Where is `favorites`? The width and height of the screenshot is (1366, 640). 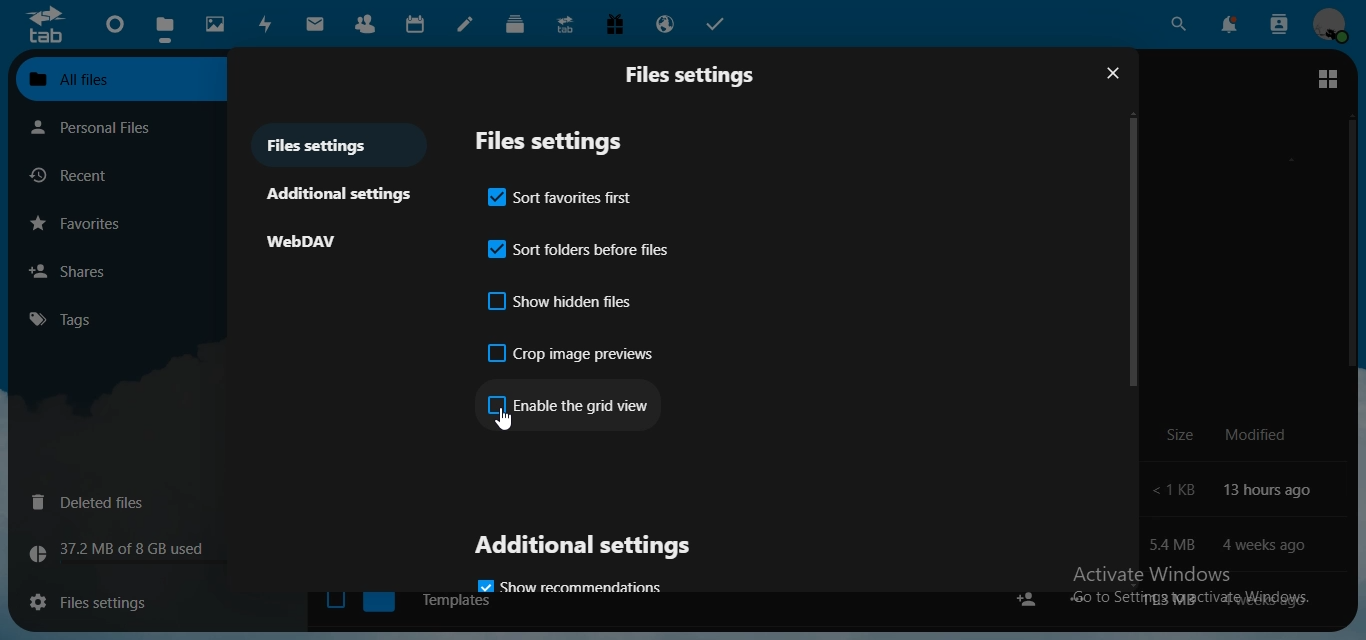 favorites is located at coordinates (128, 223).